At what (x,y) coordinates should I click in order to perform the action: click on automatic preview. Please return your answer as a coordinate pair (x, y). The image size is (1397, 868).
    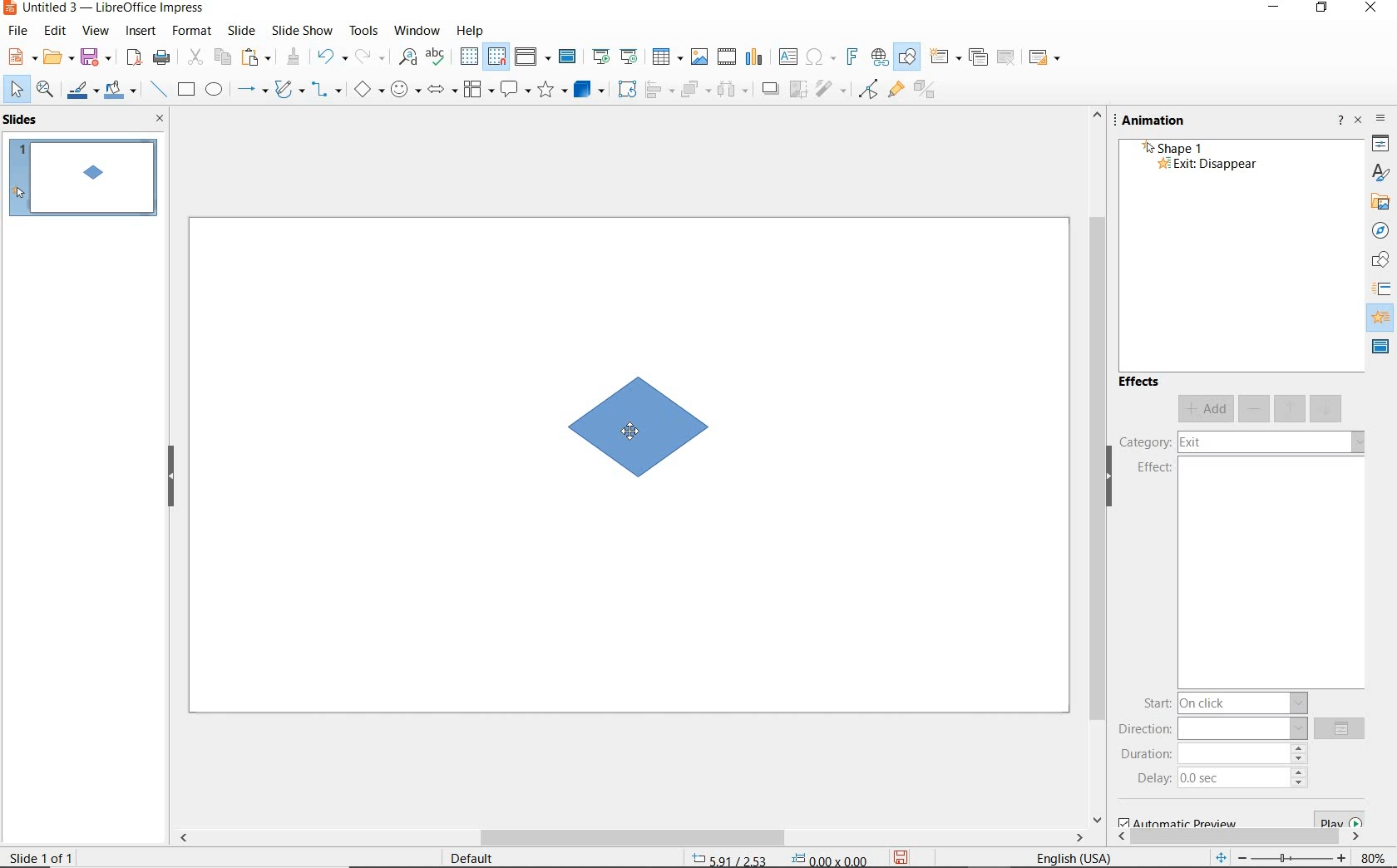
    Looking at the image, I should click on (1174, 823).